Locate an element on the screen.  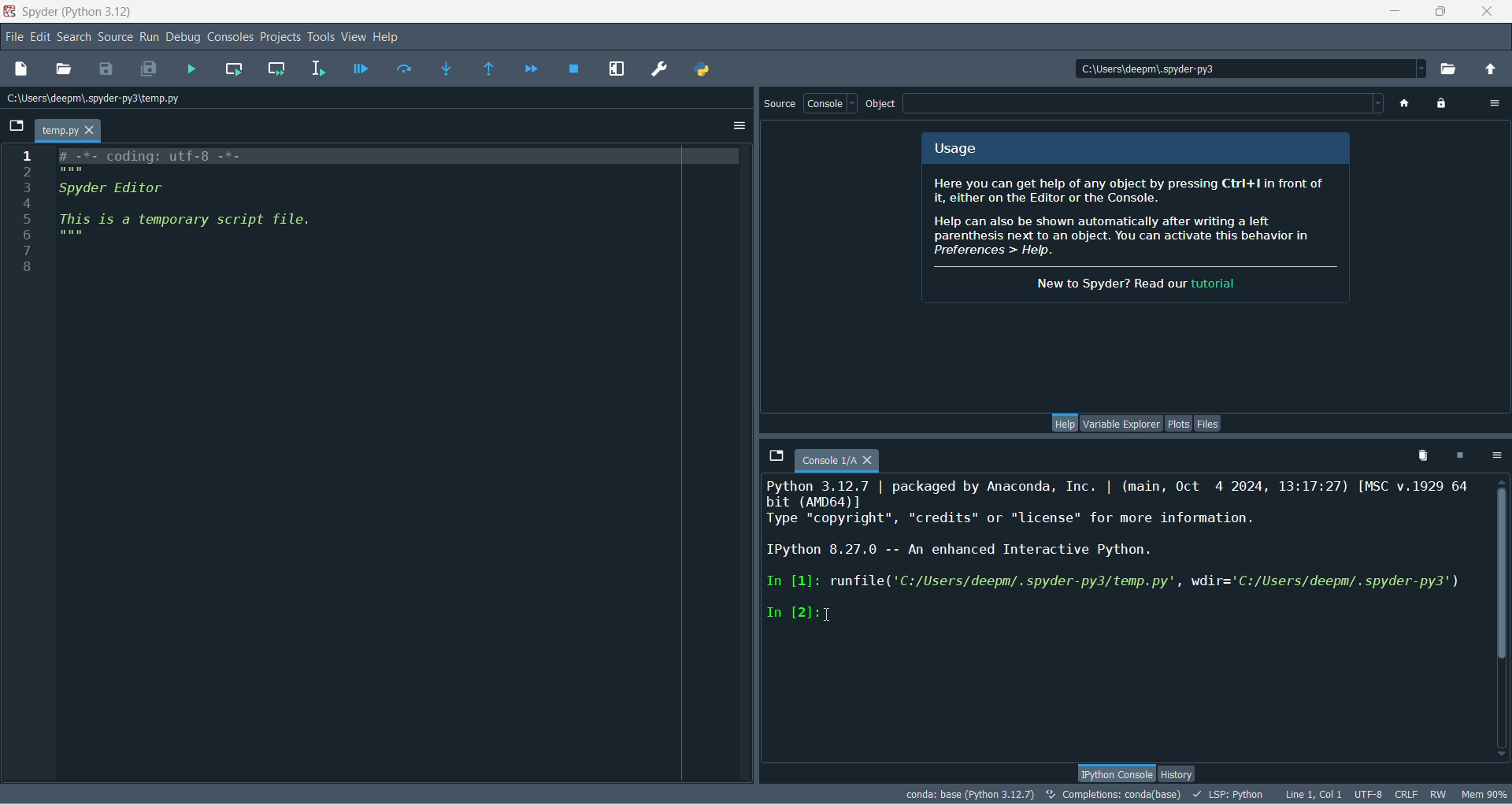
source is located at coordinates (781, 105).